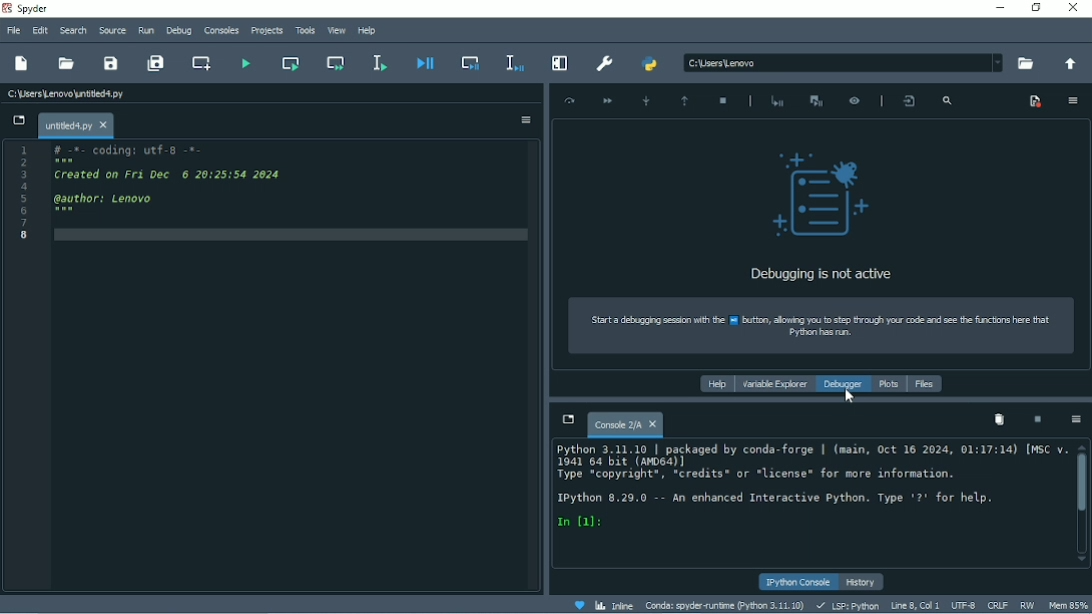 This screenshot has height=614, width=1092. What do you see at coordinates (647, 100) in the screenshot?
I see `Step into function or method` at bounding box center [647, 100].